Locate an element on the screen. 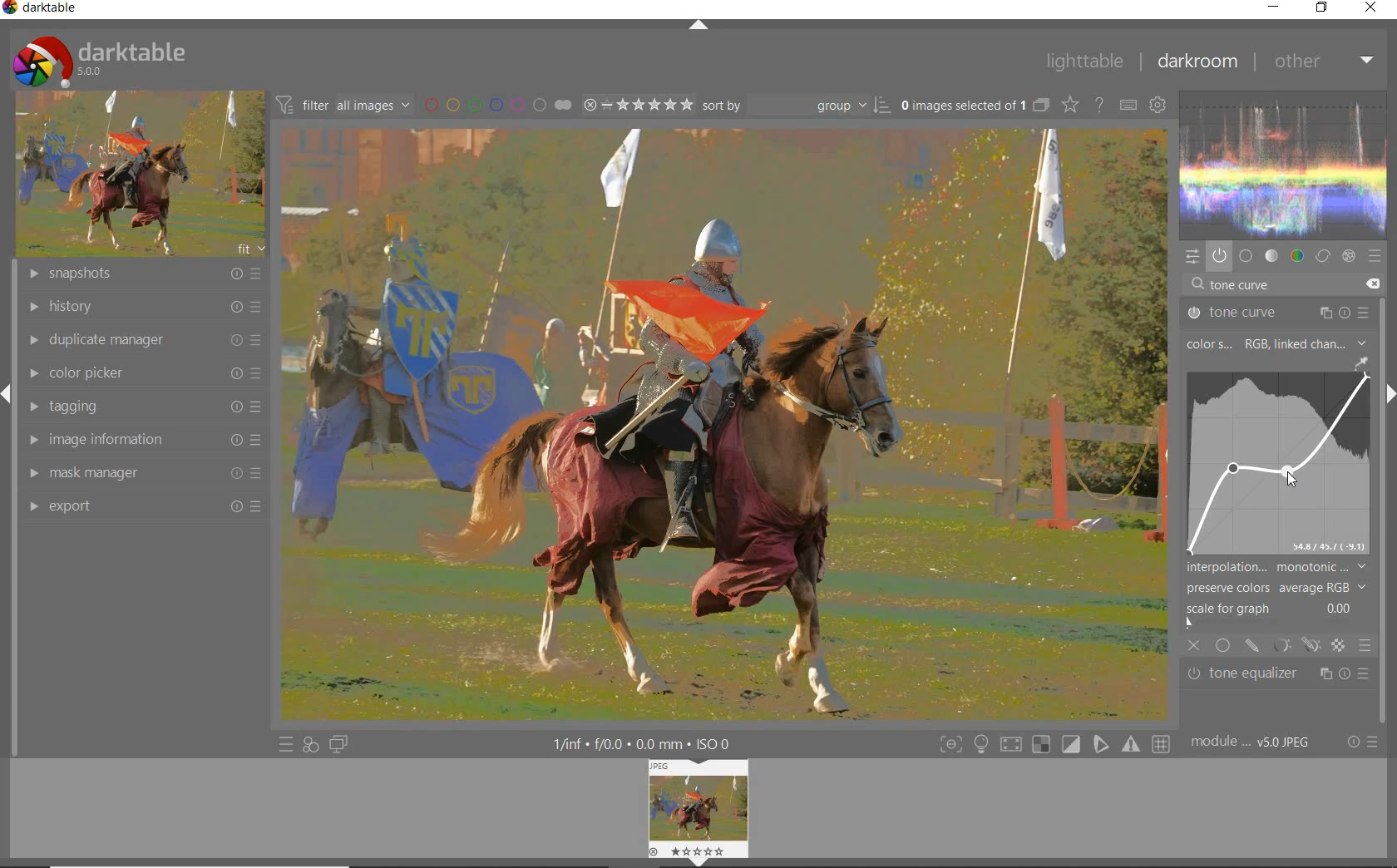  tone curve is located at coordinates (1278, 313).